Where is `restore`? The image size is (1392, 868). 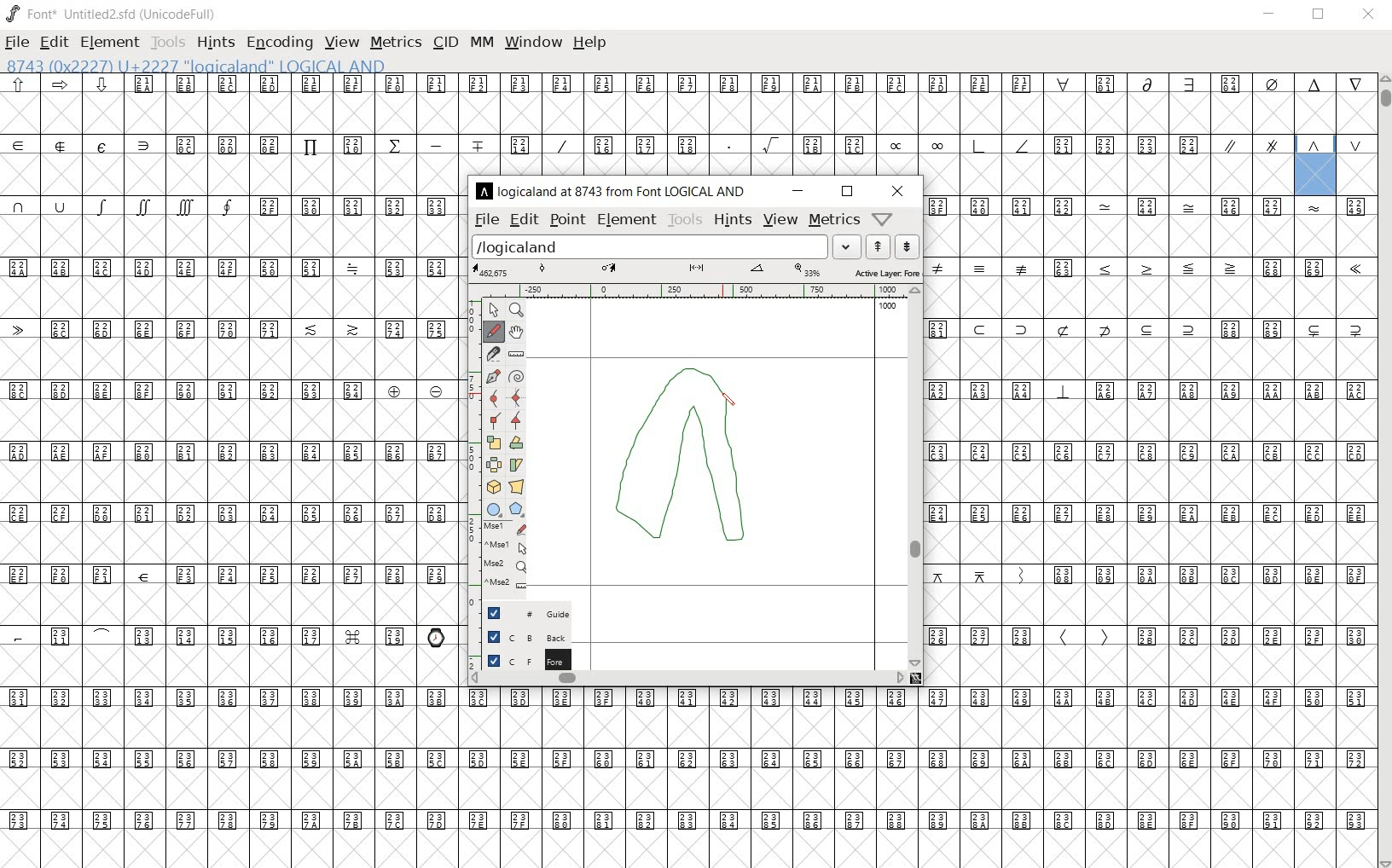 restore is located at coordinates (848, 192).